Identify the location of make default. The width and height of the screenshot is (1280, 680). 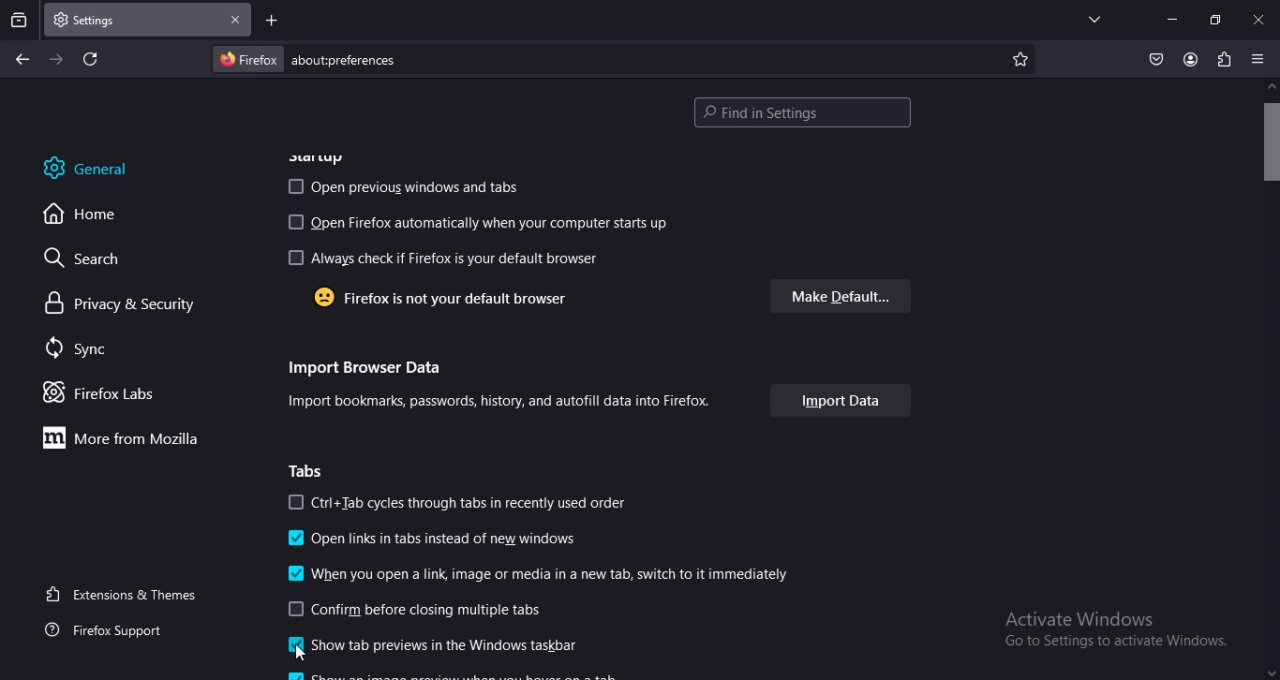
(843, 294).